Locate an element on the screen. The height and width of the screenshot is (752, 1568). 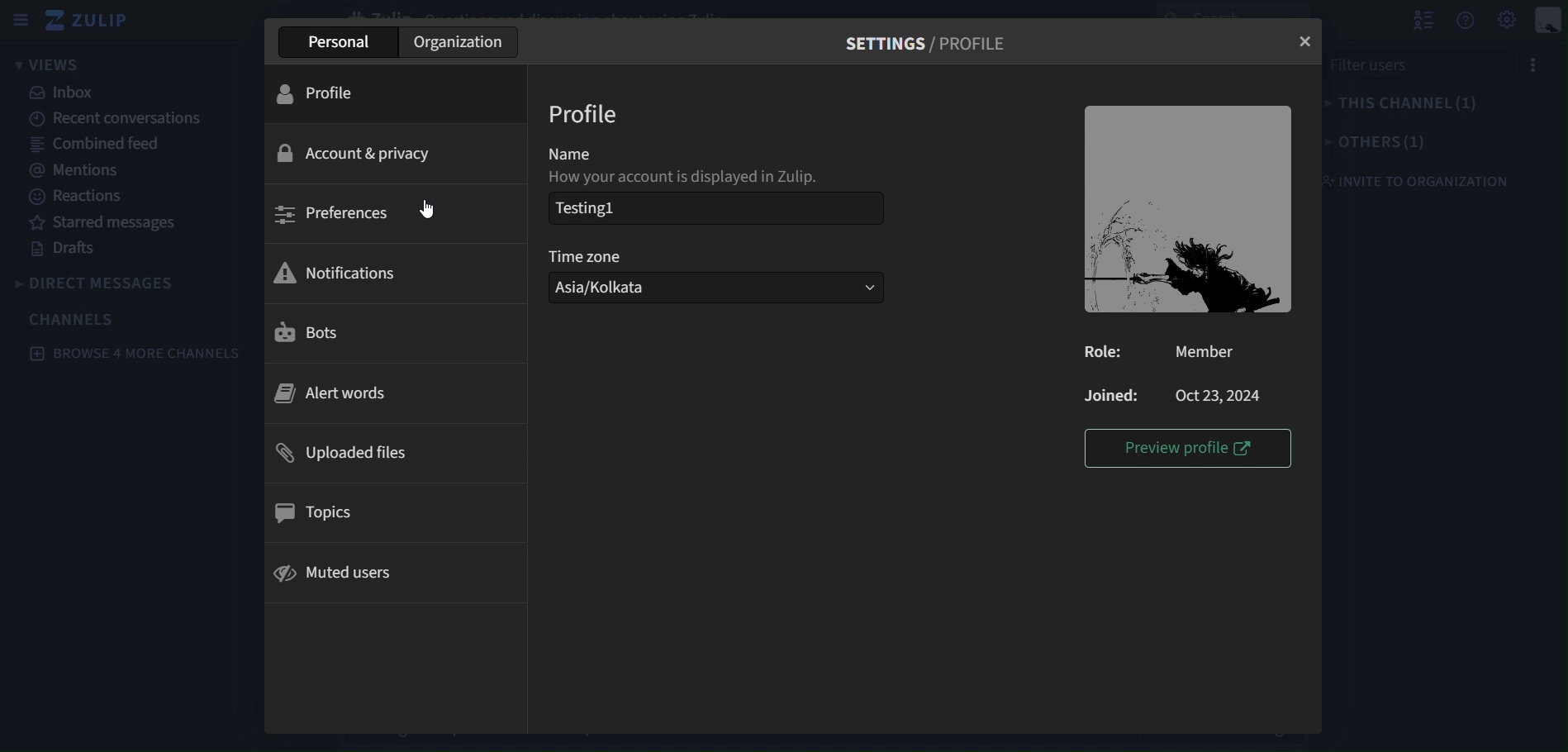
uploaded files is located at coordinates (395, 450).